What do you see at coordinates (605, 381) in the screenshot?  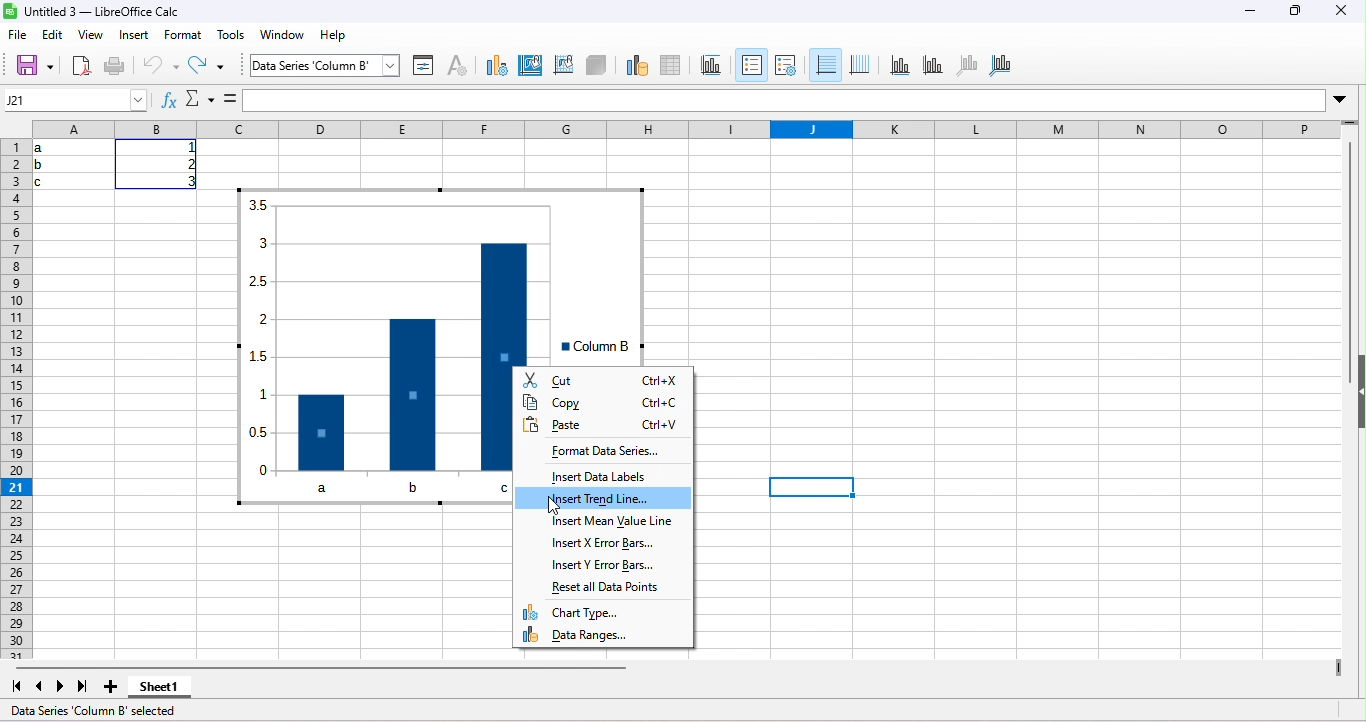 I see `cut` at bounding box center [605, 381].